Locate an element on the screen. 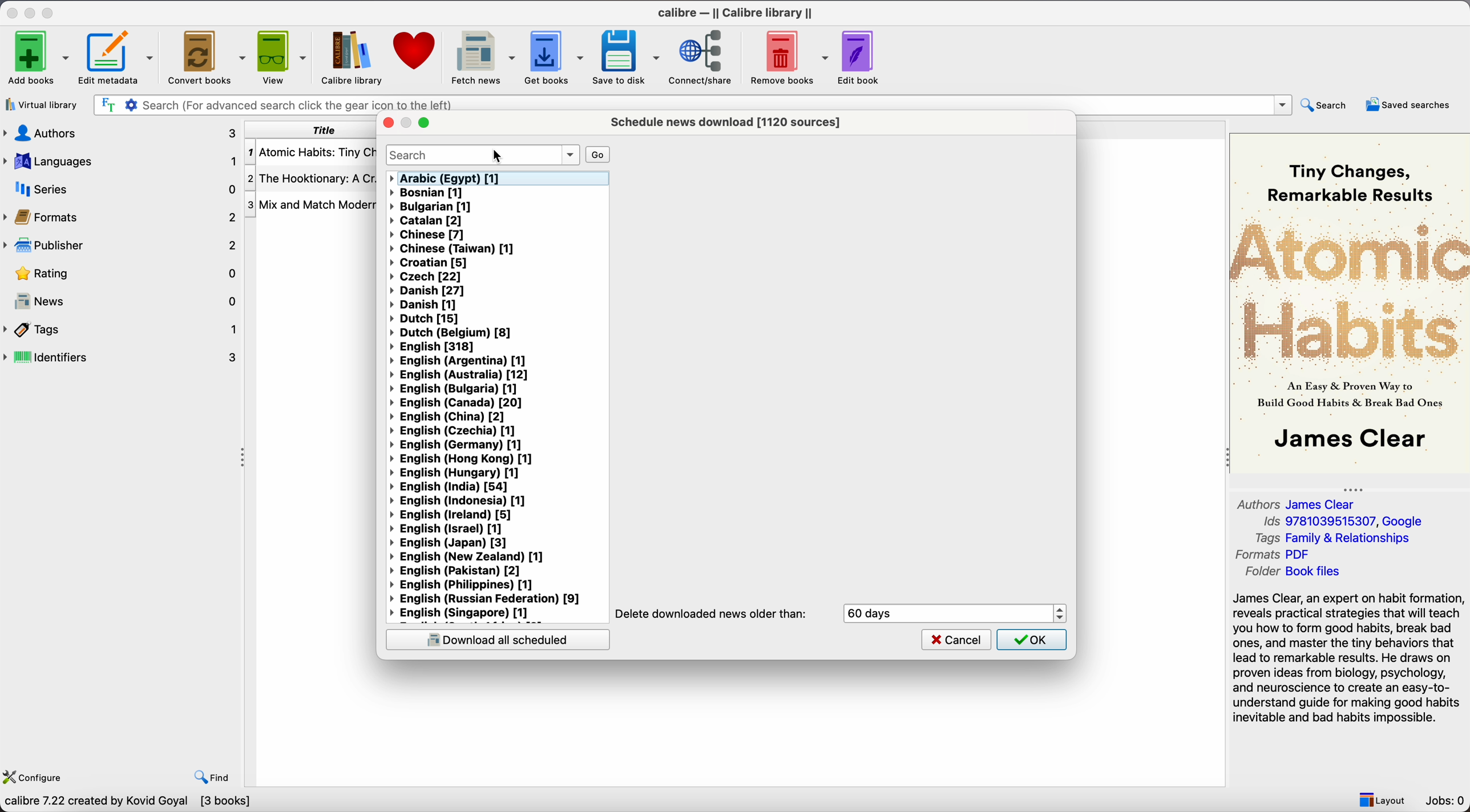  download scheduled is located at coordinates (497, 639).